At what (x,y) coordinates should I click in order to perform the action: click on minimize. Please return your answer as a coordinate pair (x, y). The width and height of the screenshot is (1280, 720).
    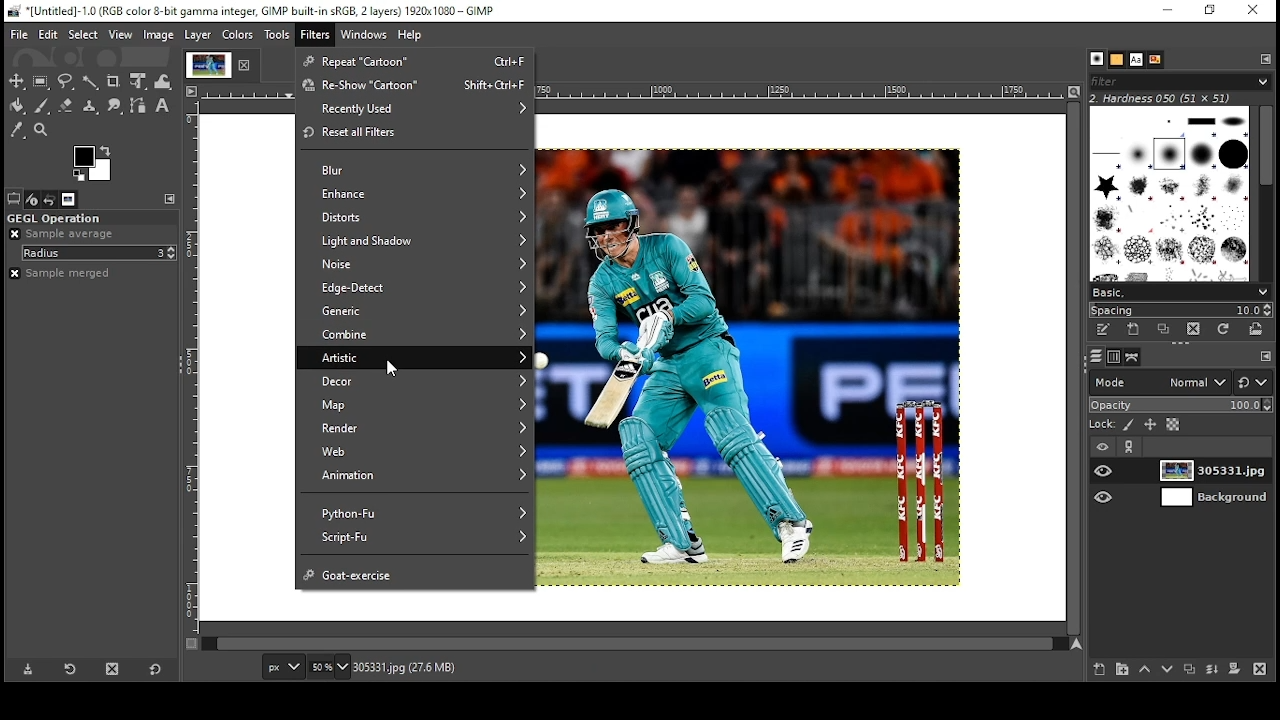
    Looking at the image, I should click on (1168, 10).